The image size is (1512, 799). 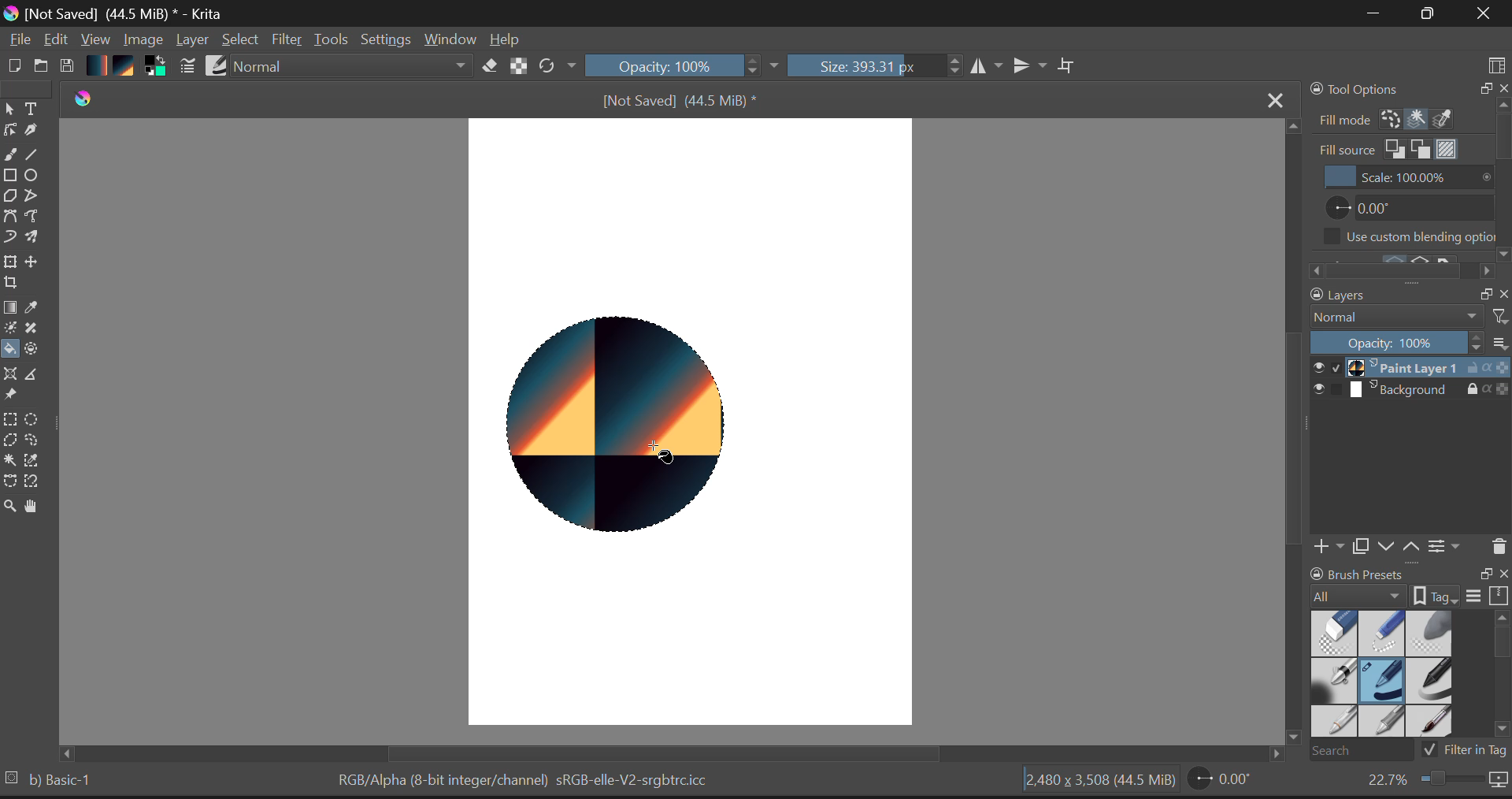 What do you see at coordinates (117, 13) in the screenshot?
I see `Window Title` at bounding box center [117, 13].